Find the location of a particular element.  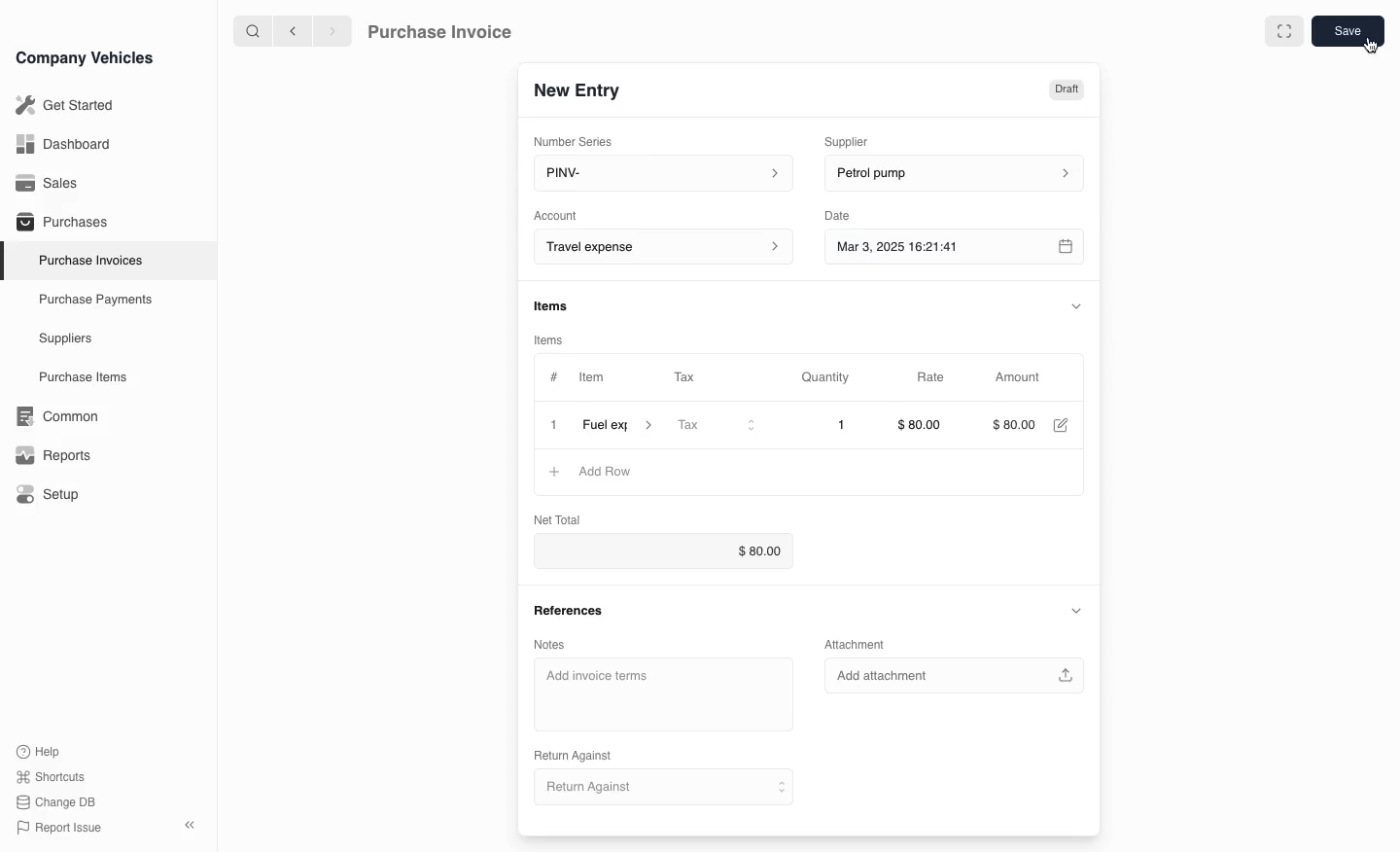

Add invoice terms is located at coordinates (664, 695).